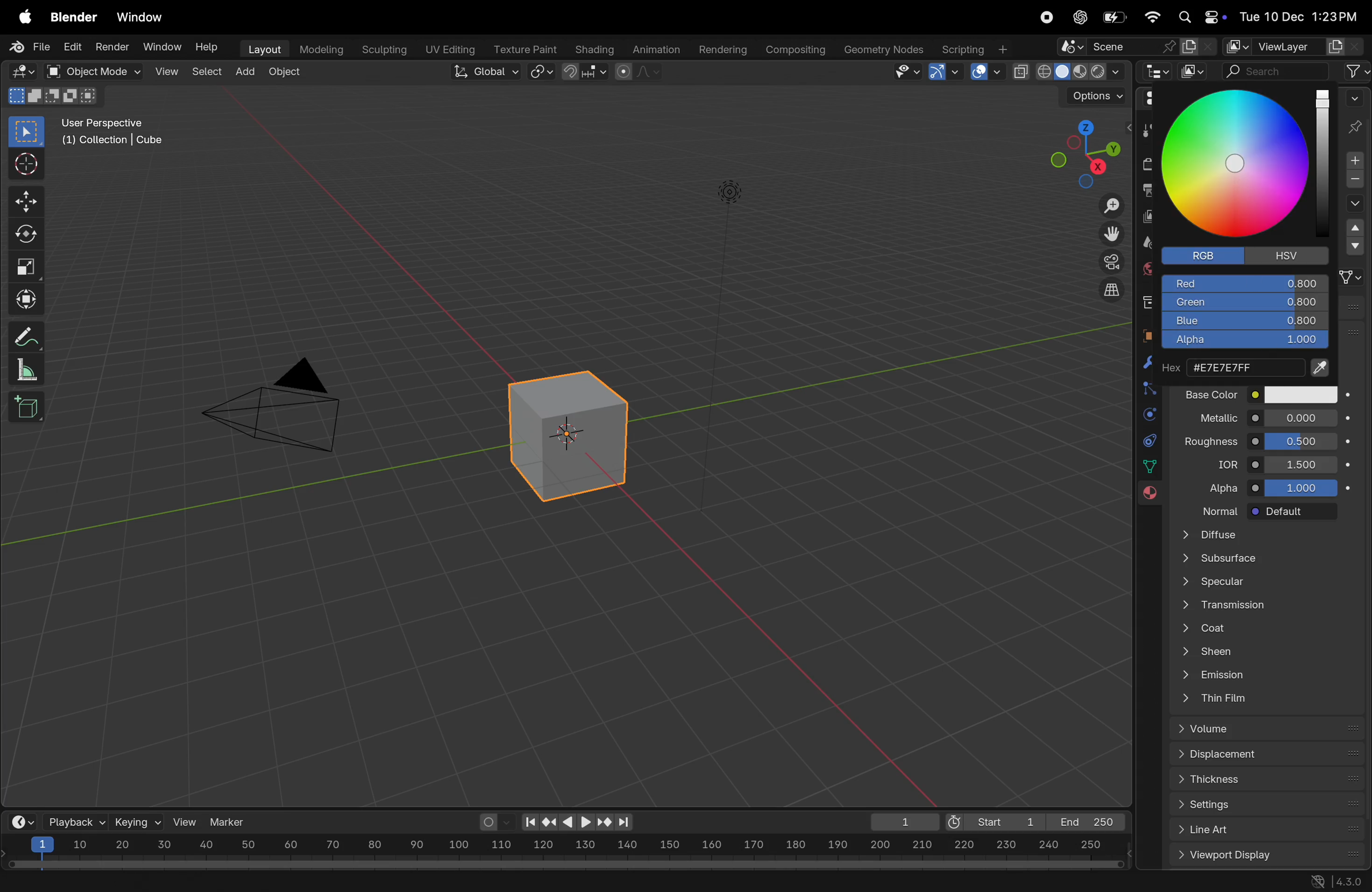 The height and width of the screenshot is (892, 1372). I want to click on emission, so click(1267, 674).